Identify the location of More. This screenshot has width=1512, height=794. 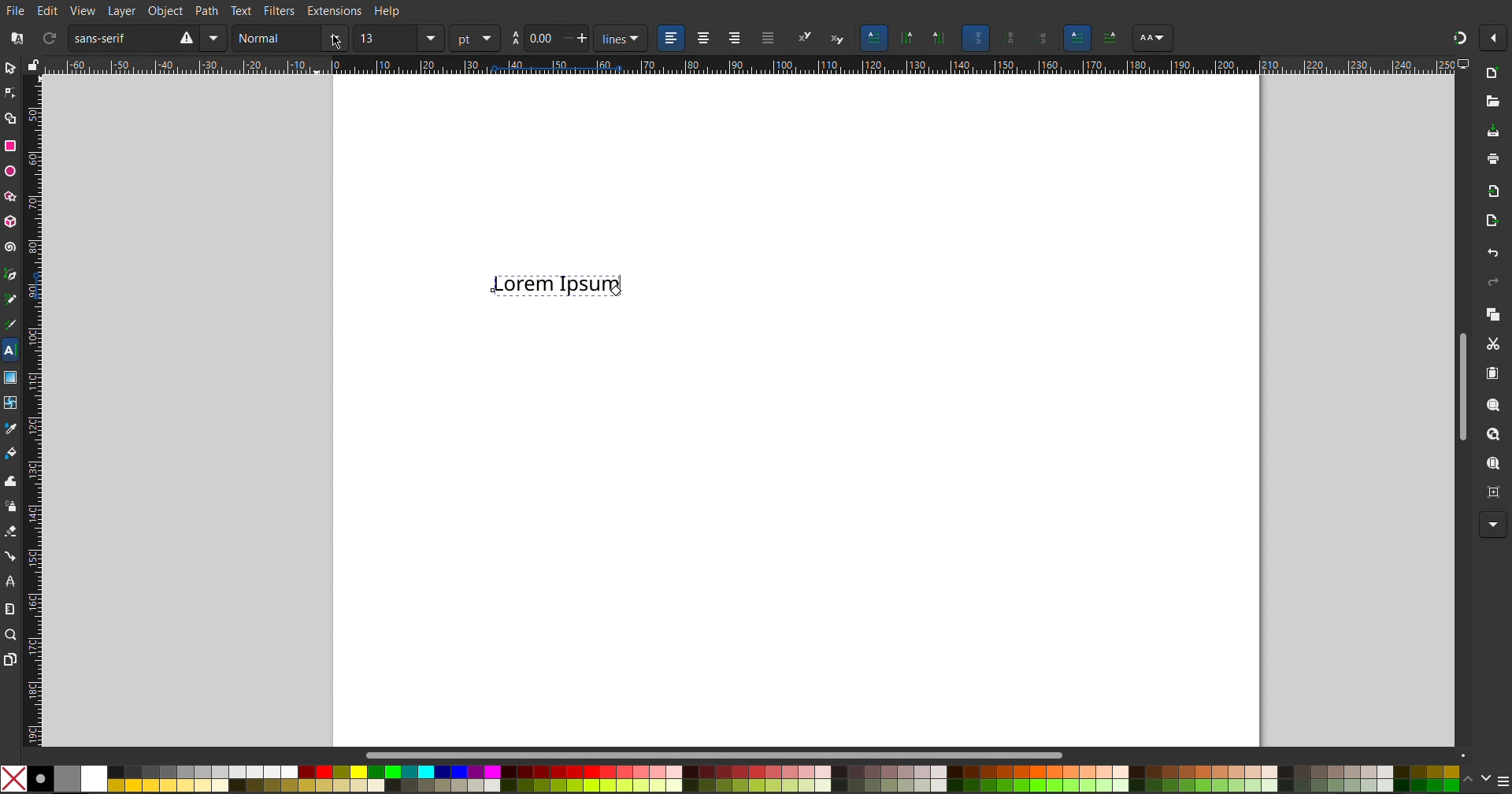
(1489, 525).